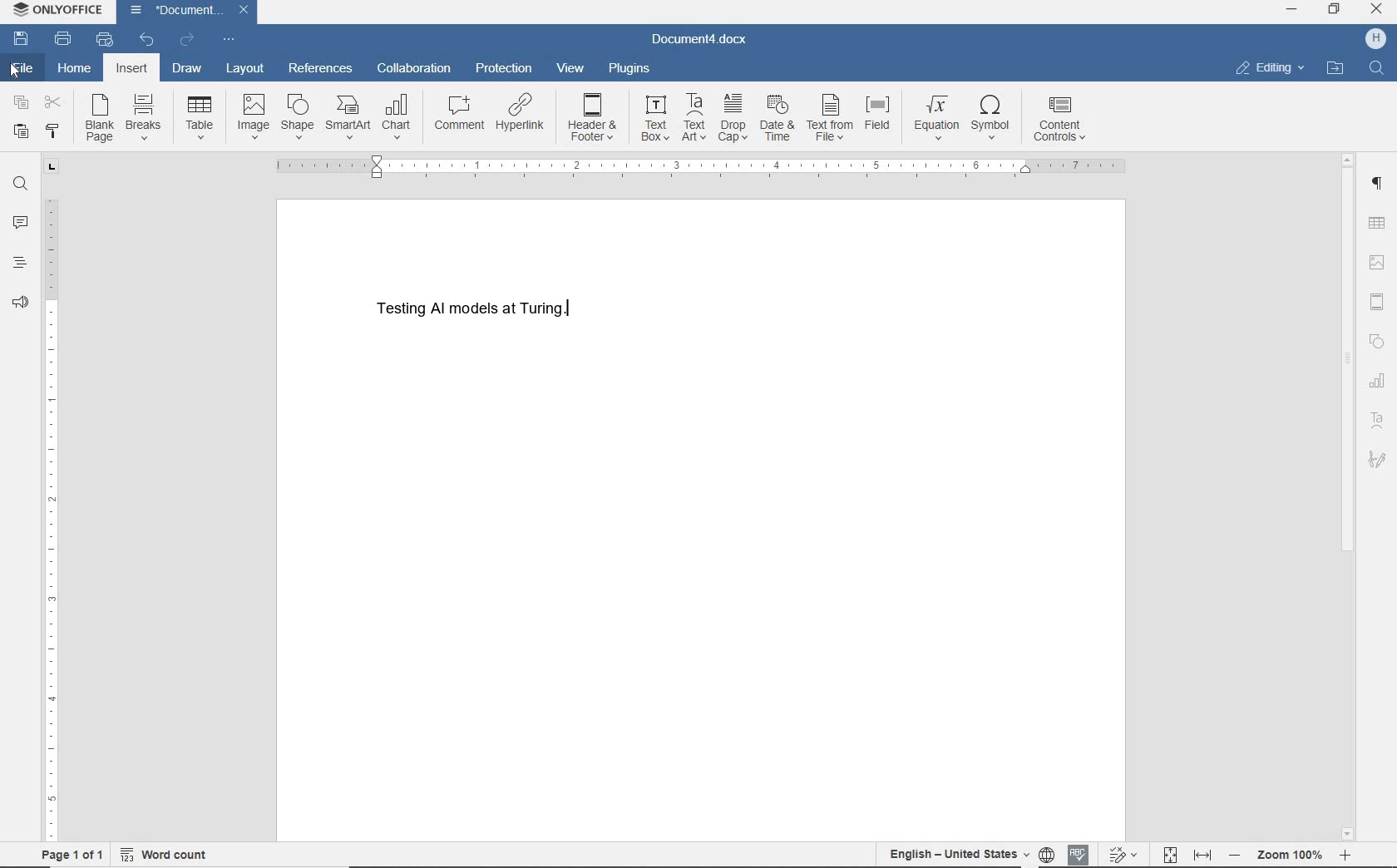  What do you see at coordinates (1378, 303) in the screenshot?
I see `header & footer` at bounding box center [1378, 303].